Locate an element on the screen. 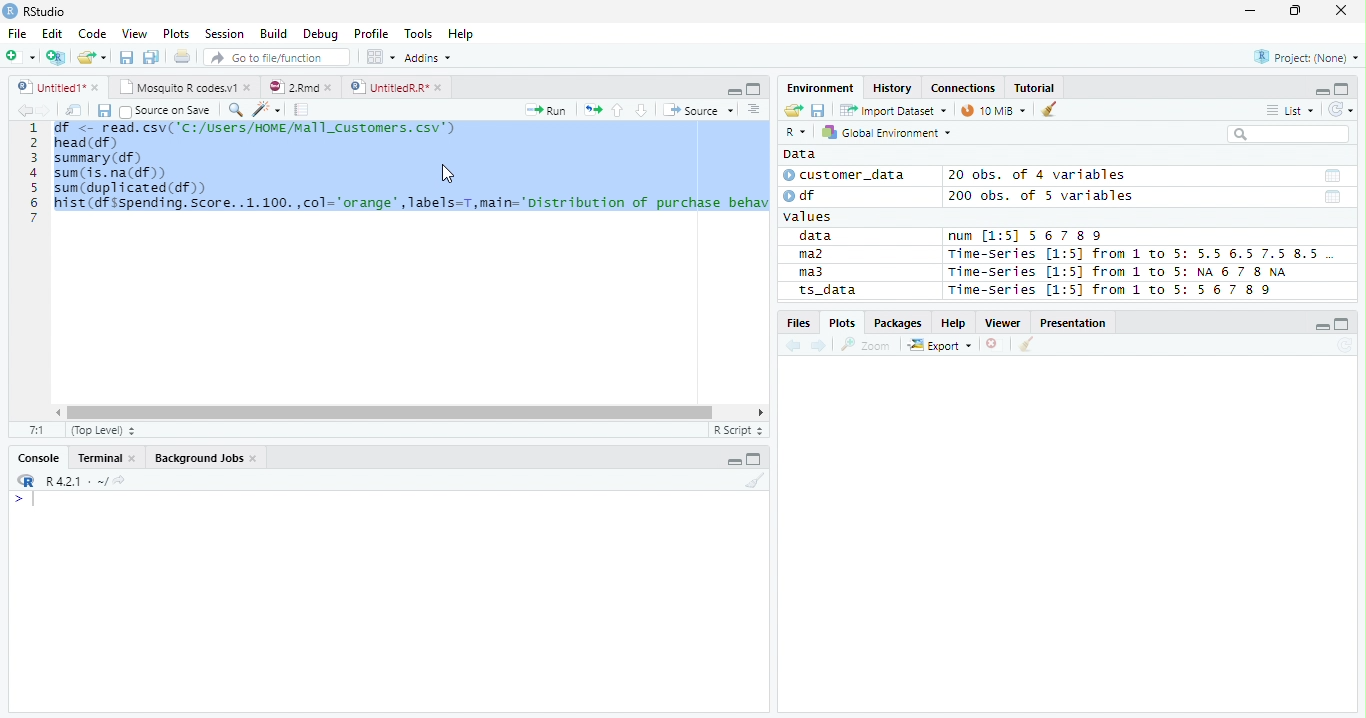  Create Project is located at coordinates (57, 57).